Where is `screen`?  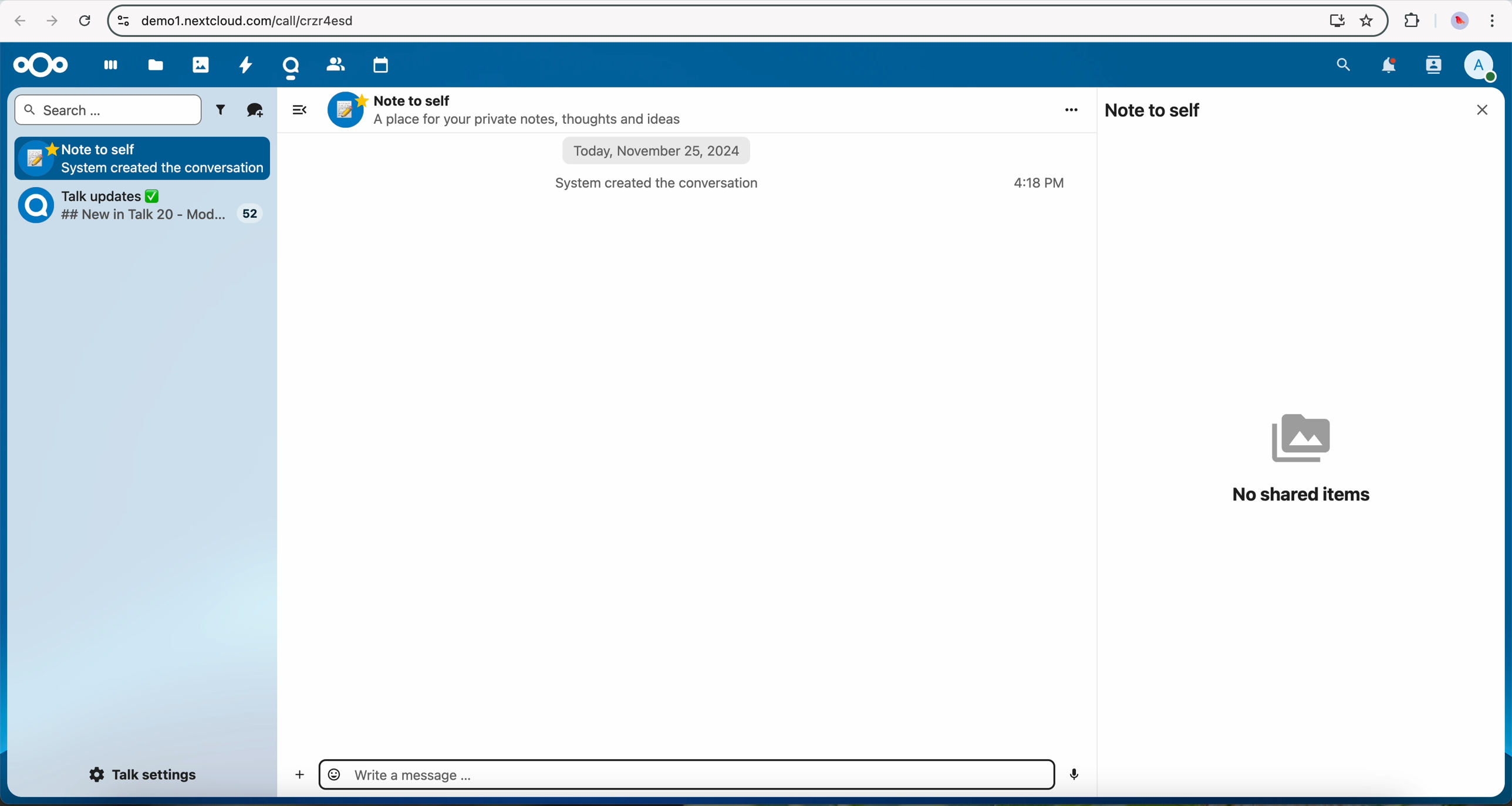 screen is located at coordinates (1332, 21).